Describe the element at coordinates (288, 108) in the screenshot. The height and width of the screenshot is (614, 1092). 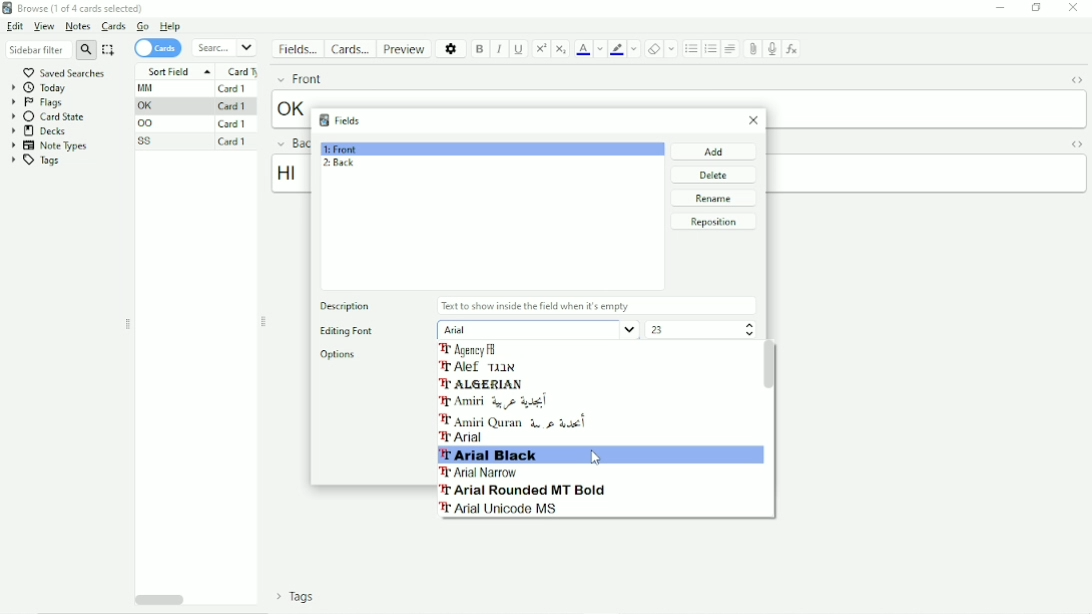
I see `ok` at that location.